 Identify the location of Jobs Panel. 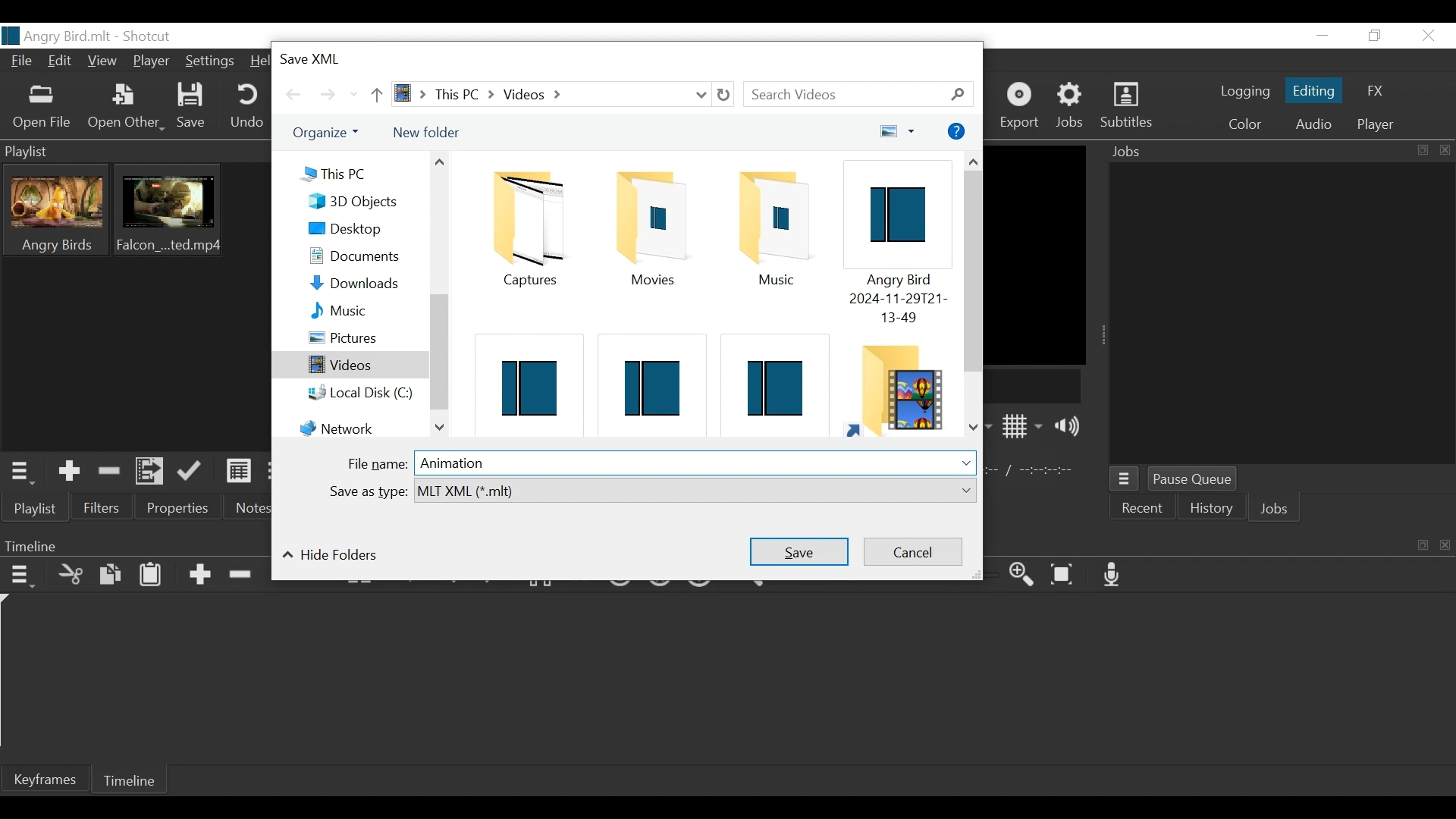
(1284, 317).